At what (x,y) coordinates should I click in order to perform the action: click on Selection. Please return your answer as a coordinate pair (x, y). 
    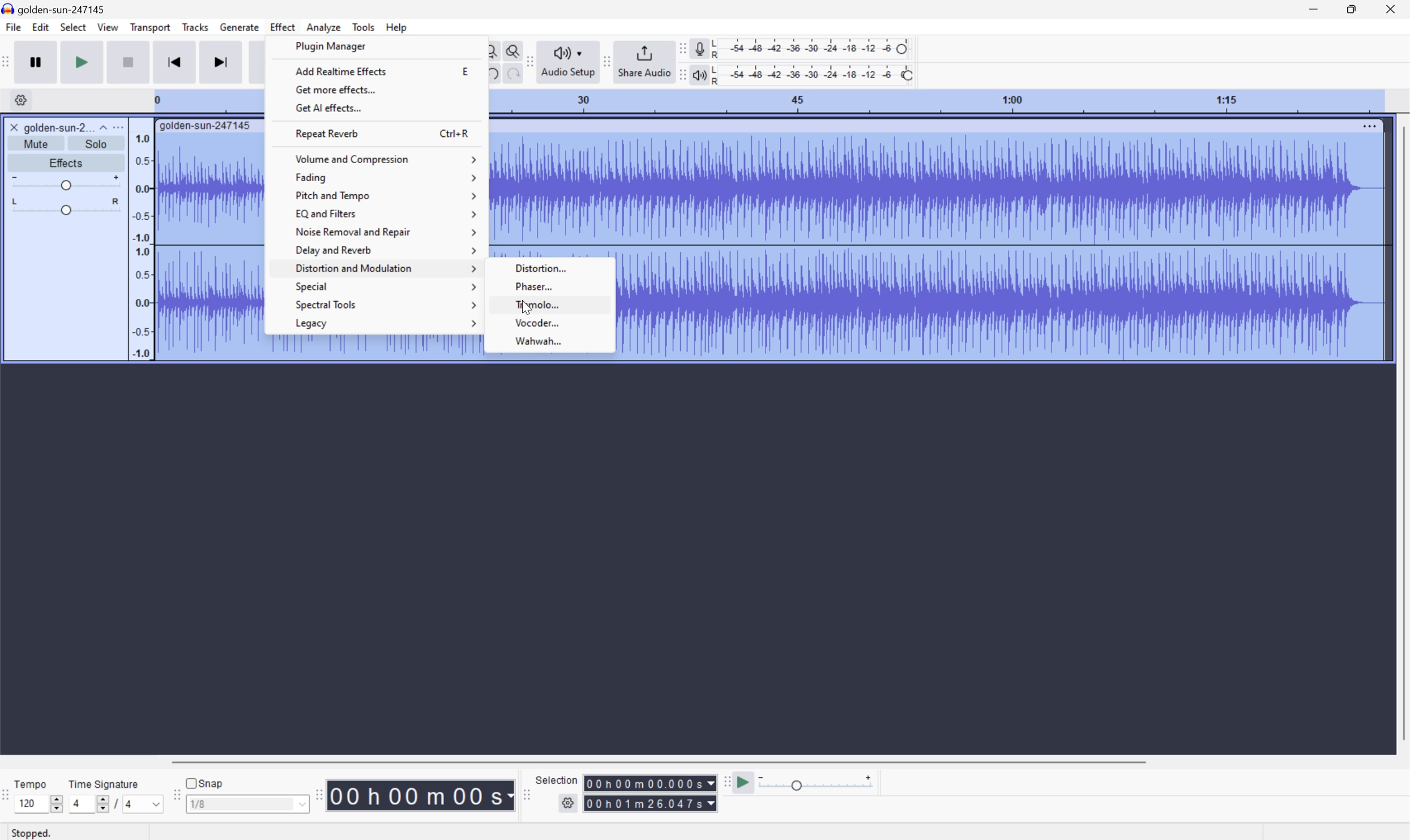
    Looking at the image, I should click on (556, 779).